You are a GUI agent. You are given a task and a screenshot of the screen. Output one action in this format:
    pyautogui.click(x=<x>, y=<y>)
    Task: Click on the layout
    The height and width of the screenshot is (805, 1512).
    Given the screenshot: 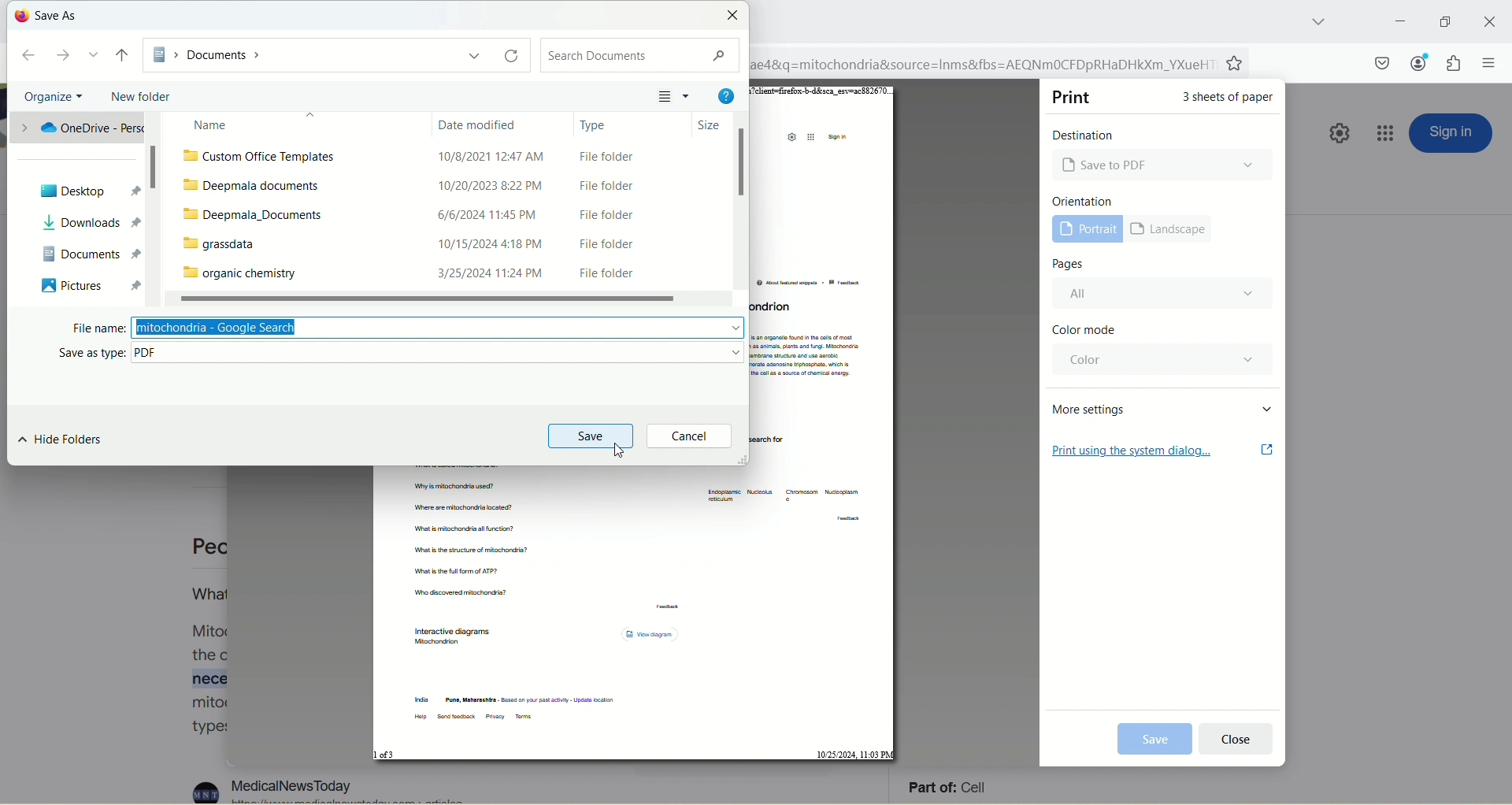 What is the action you would take?
    pyautogui.click(x=673, y=95)
    